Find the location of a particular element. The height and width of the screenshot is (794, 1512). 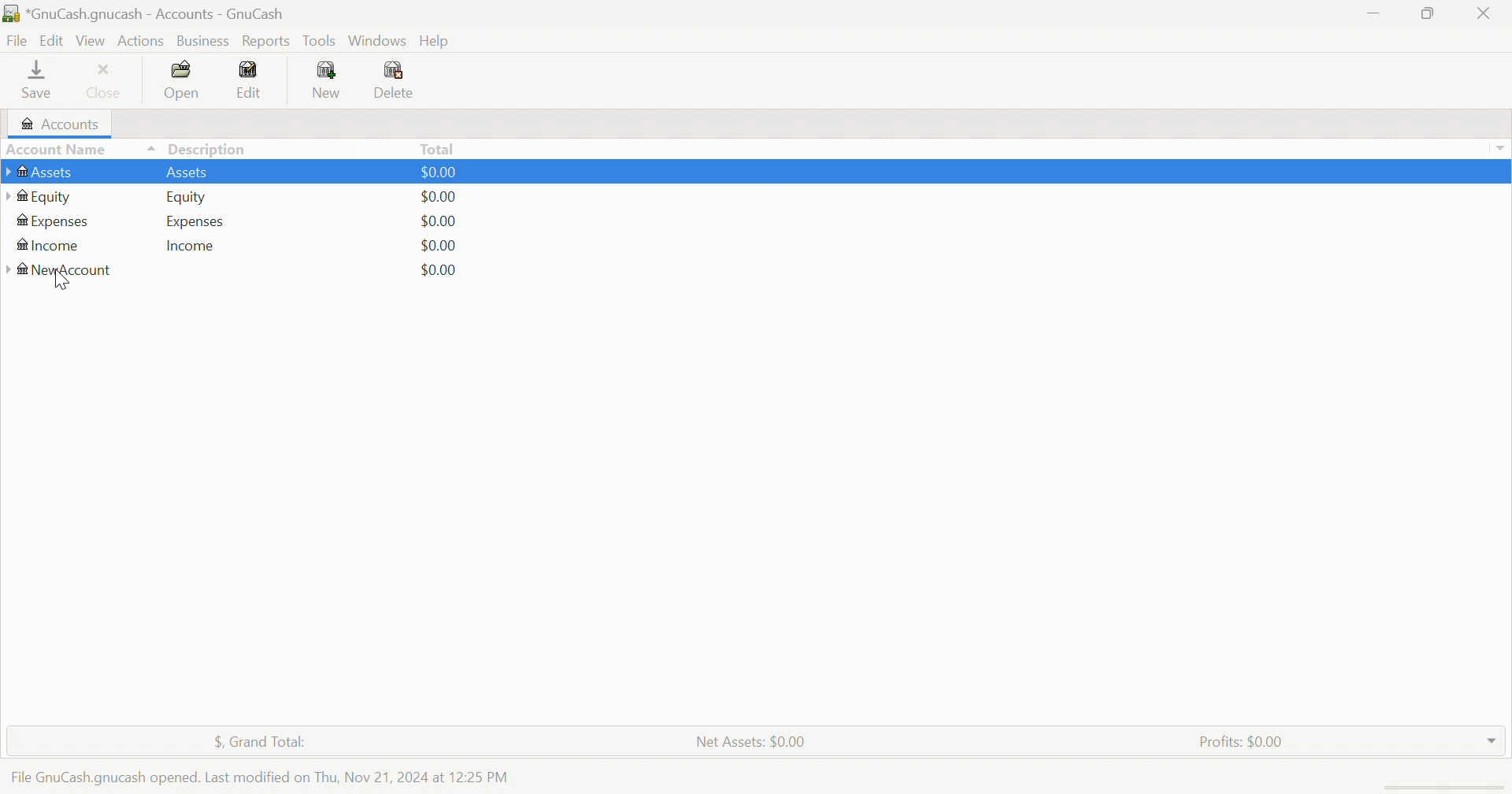

Actions is located at coordinates (141, 41).